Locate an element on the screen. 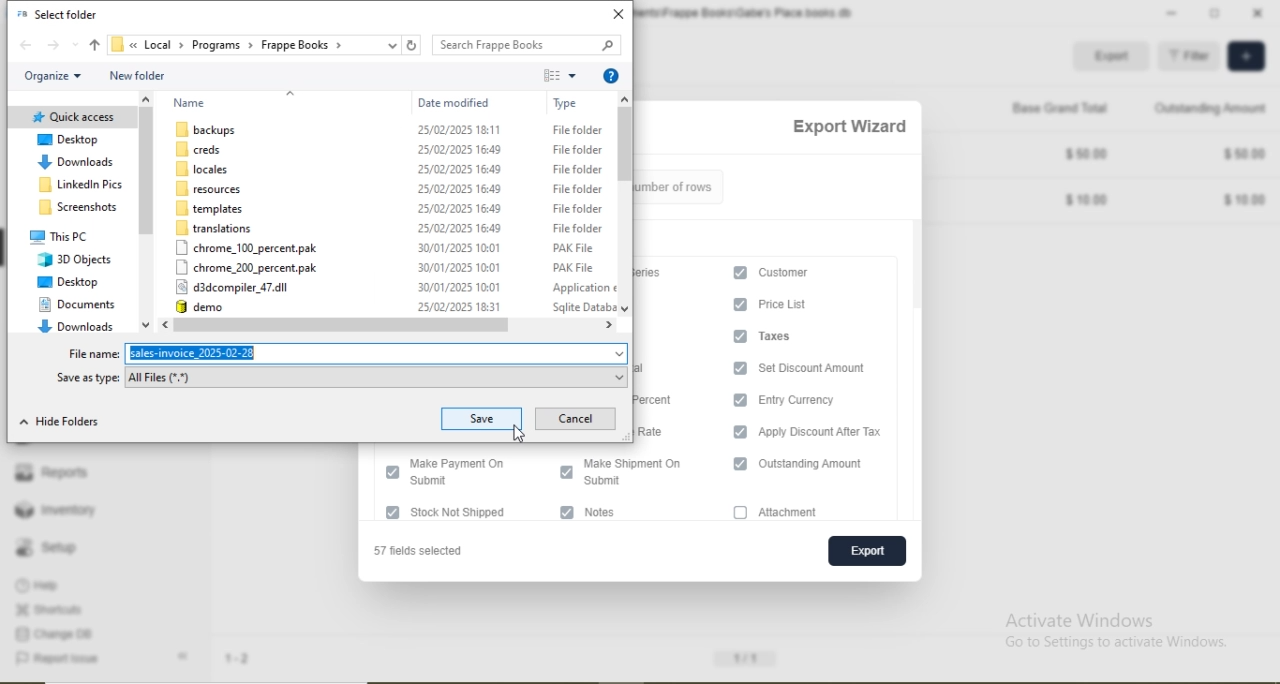 Image resolution: width=1280 pixels, height=684 pixels. close is located at coordinates (617, 16).